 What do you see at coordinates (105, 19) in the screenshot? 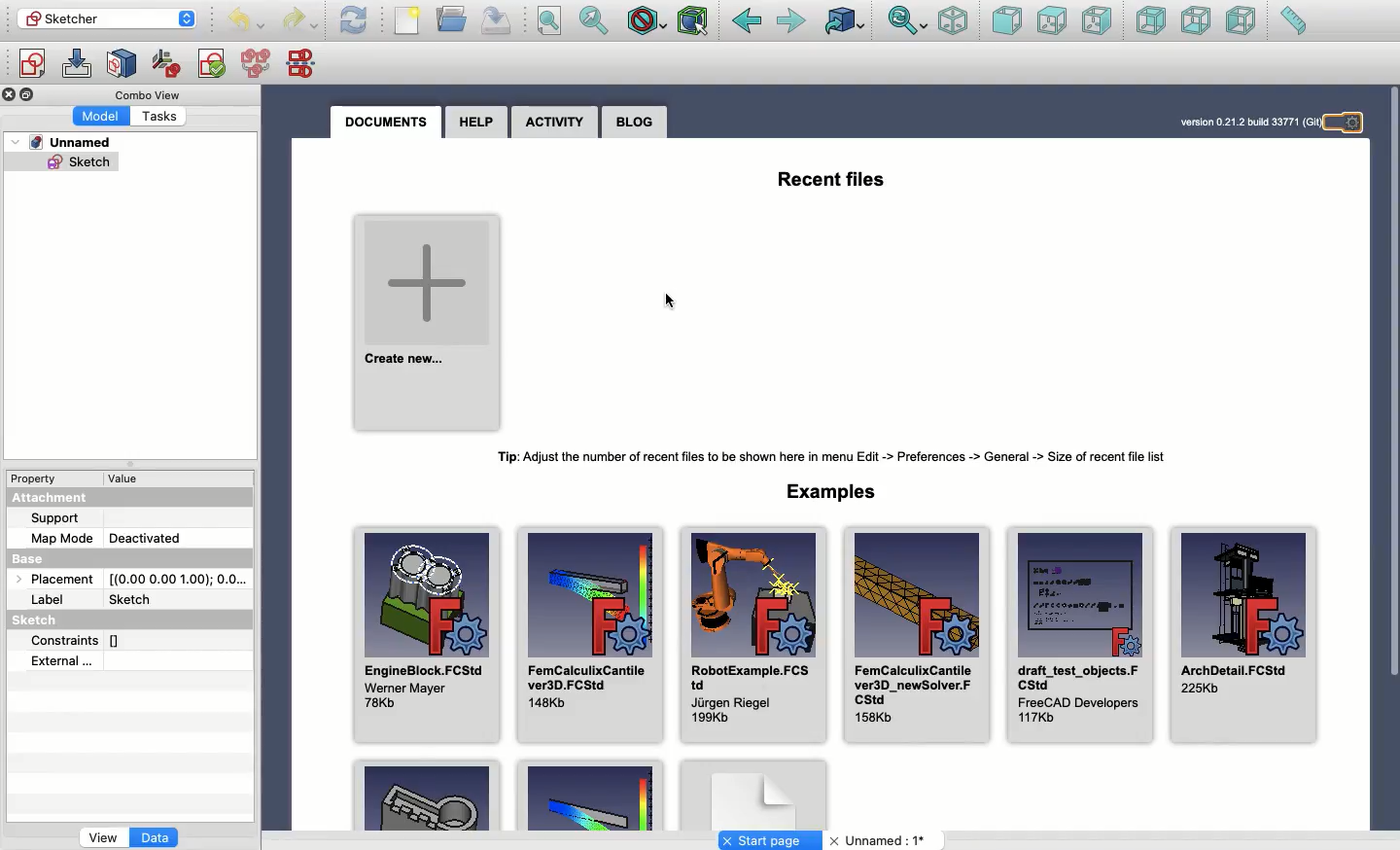
I see `Sketcher` at bounding box center [105, 19].